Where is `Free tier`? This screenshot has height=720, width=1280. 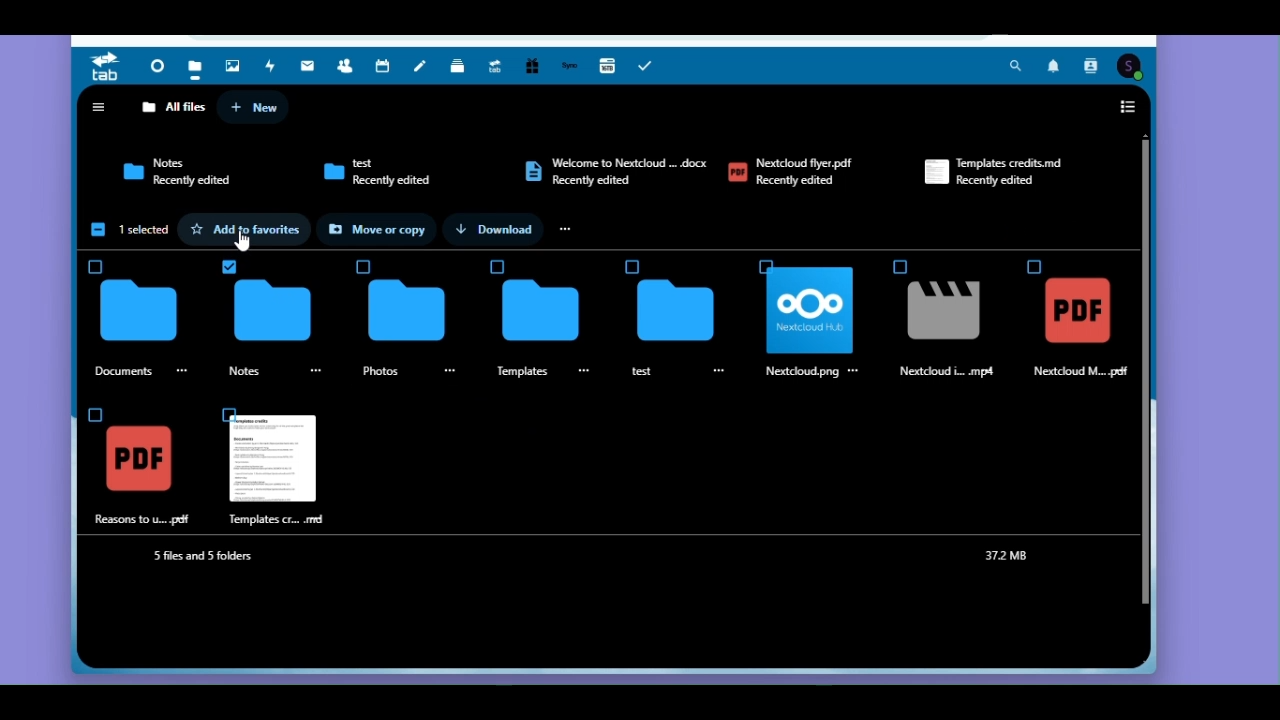 Free tier is located at coordinates (531, 66).